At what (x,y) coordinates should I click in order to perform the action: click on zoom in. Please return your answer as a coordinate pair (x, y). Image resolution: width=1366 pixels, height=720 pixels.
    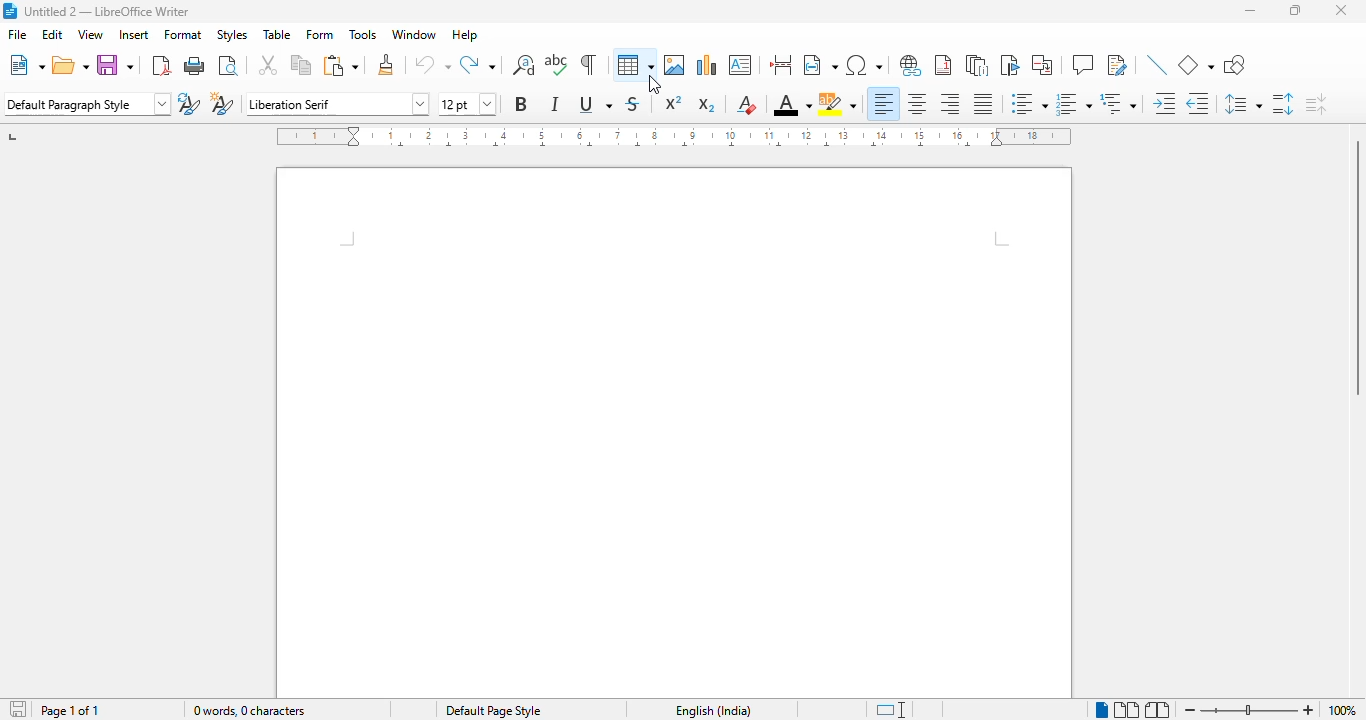
    Looking at the image, I should click on (1307, 711).